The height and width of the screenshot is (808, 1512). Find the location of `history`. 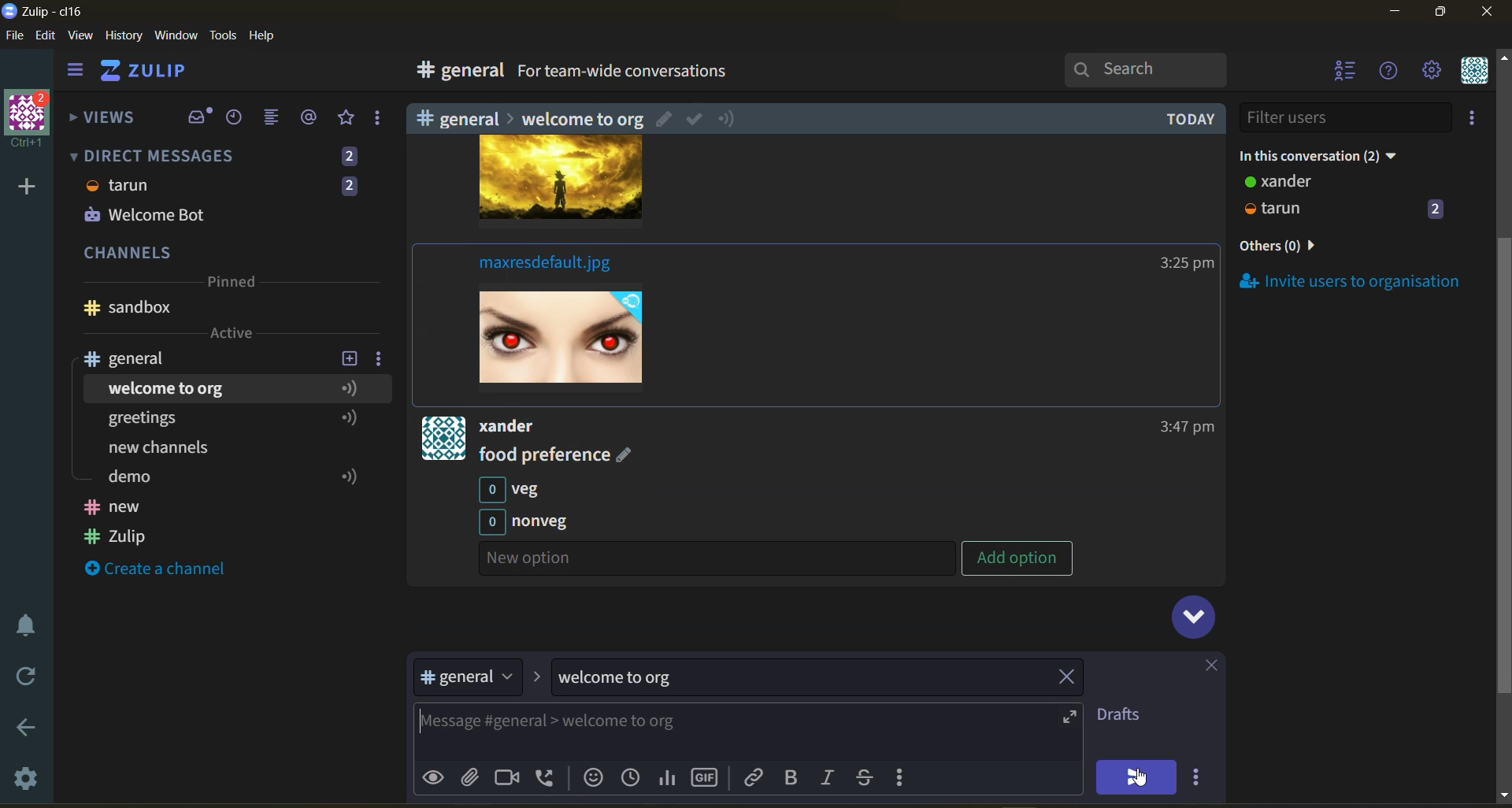

history is located at coordinates (124, 39).